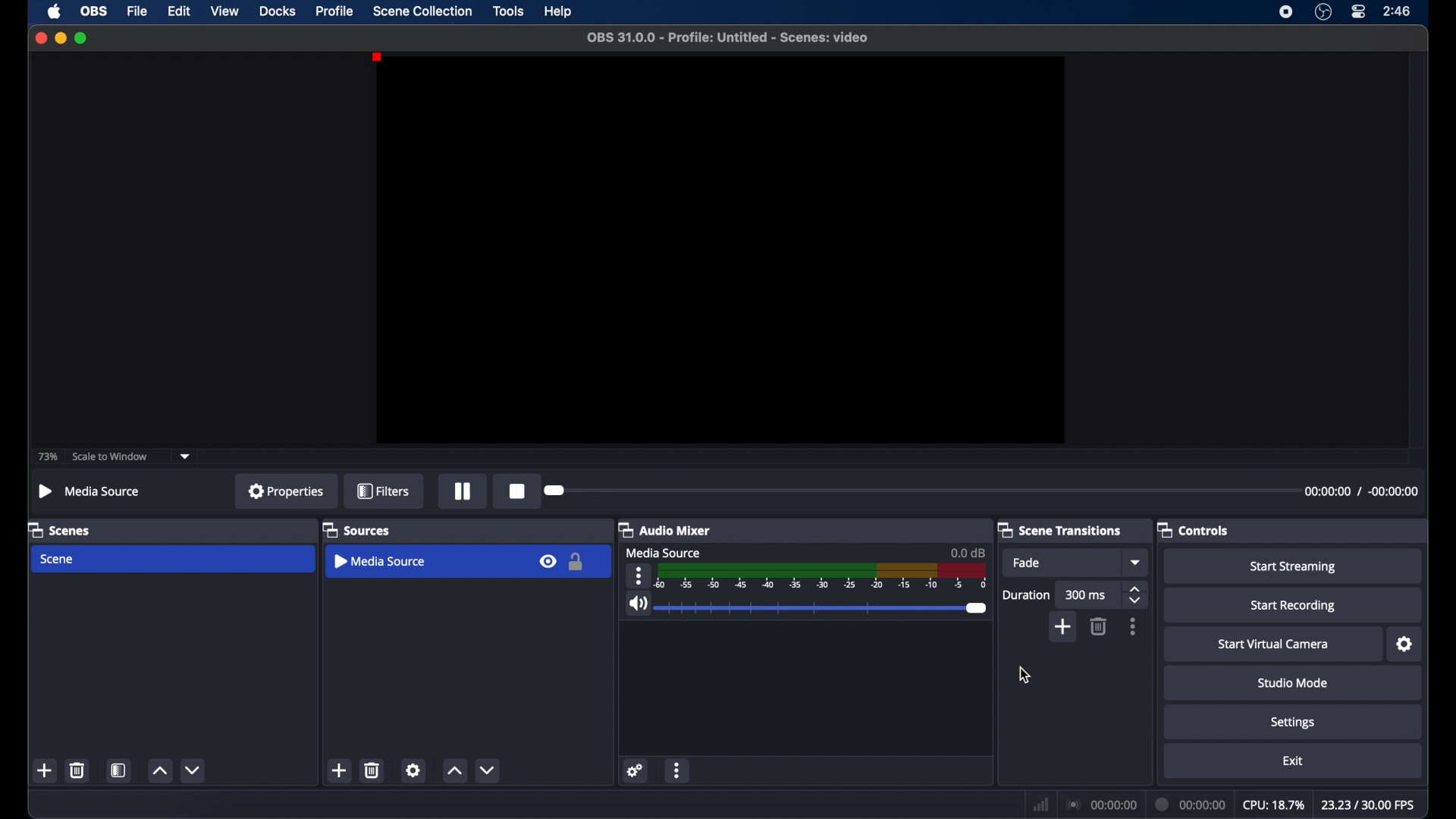 This screenshot has height=819, width=1456. I want to click on controls, so click(1194, 529).